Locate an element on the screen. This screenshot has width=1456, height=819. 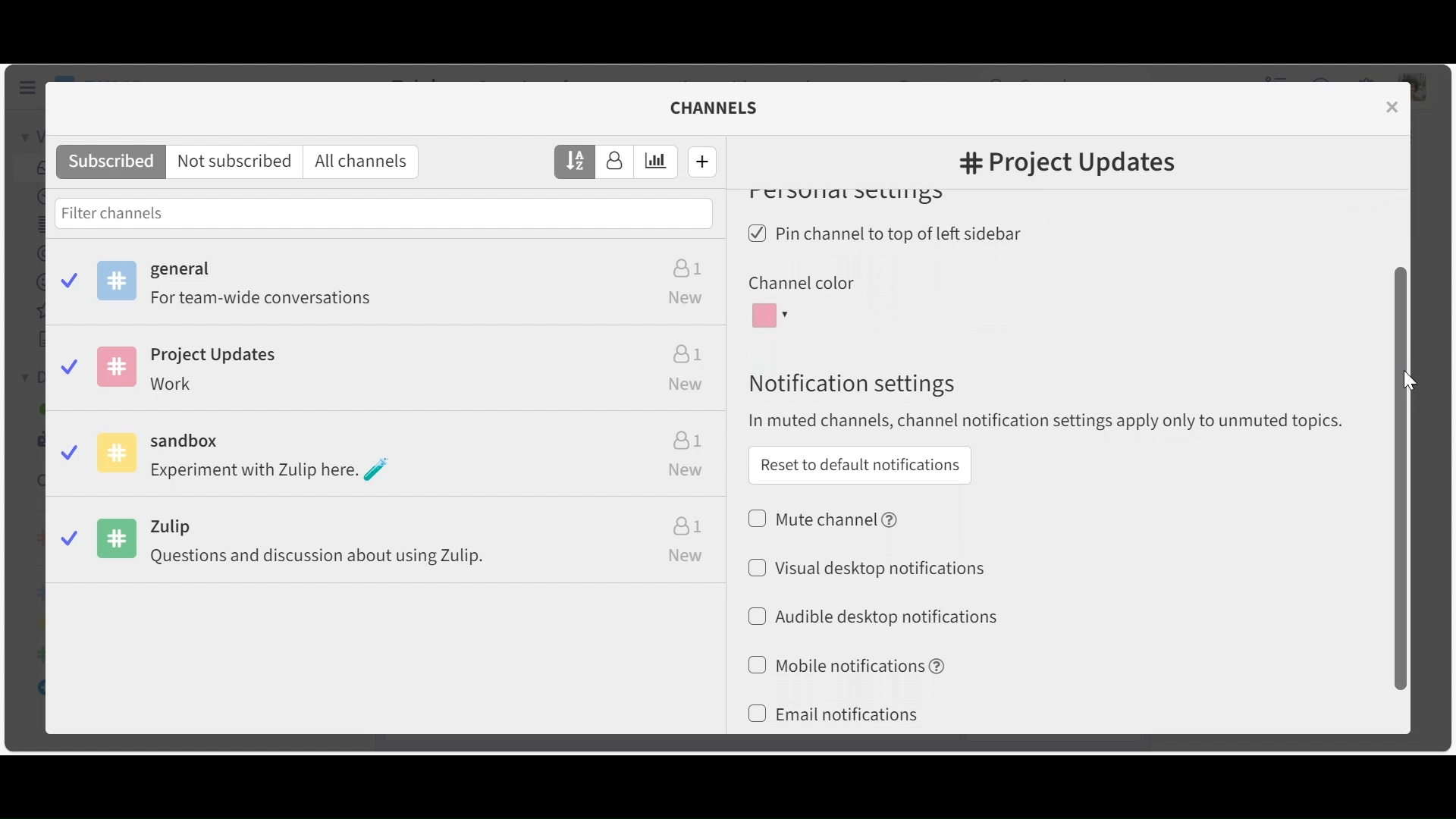
In muted channels, channel notification settings apply to only to unmuted topics is located at coordinates (1053, 422).